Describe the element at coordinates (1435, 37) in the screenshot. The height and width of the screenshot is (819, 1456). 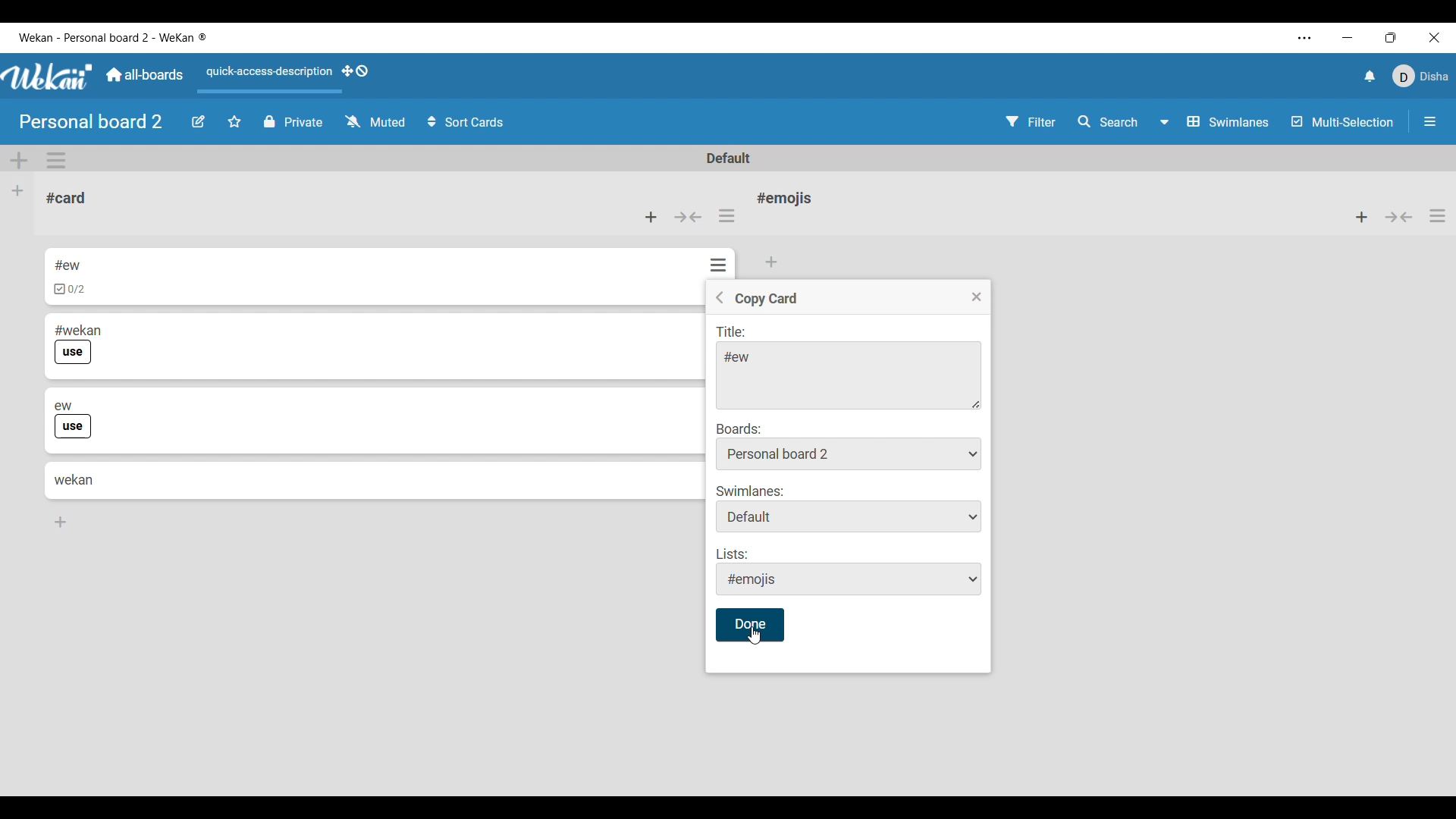
I see `Close interface` at that location.